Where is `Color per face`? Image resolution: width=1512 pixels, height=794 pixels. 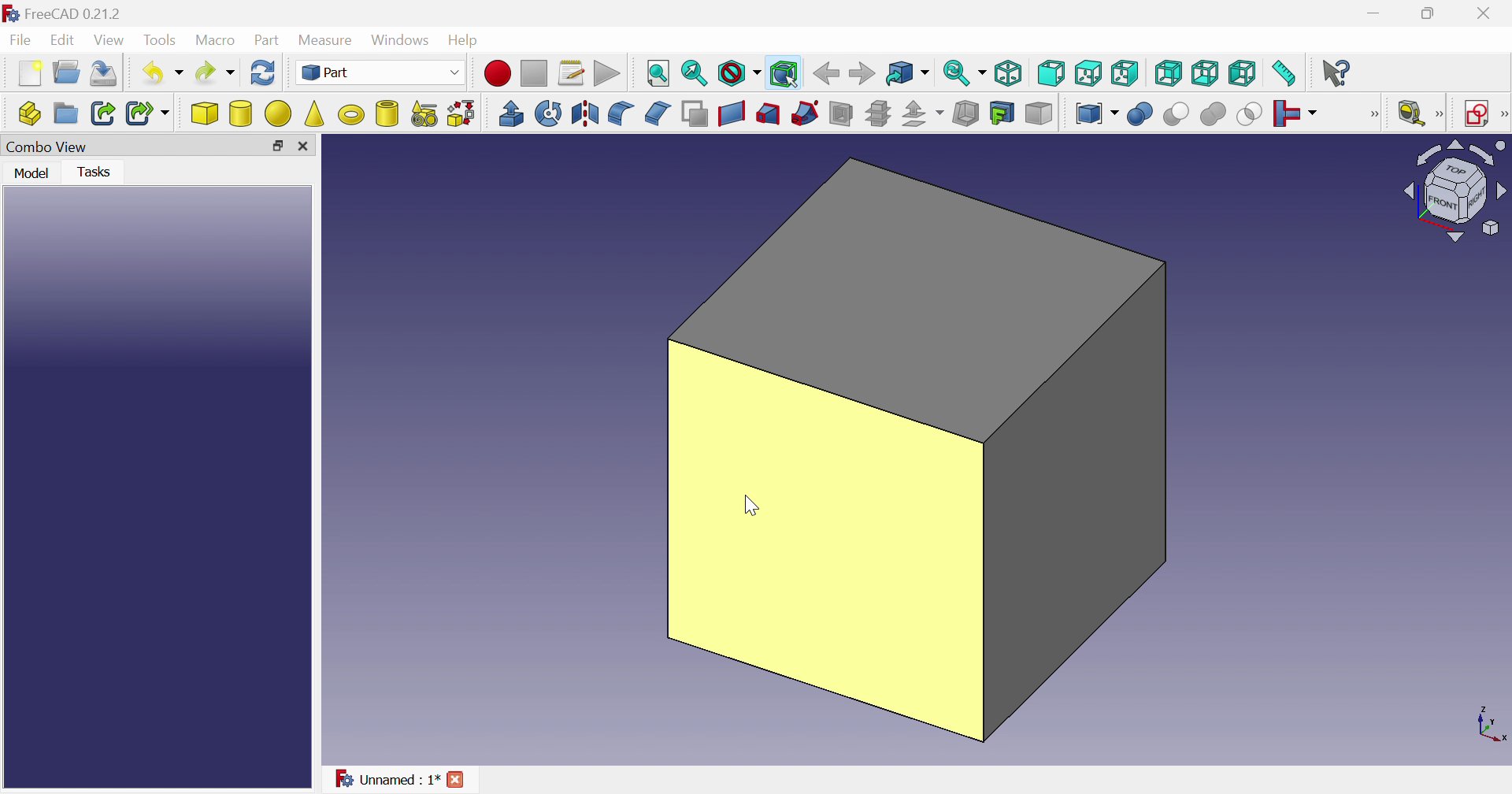 Color per face is located at coordinates (1037, 113).